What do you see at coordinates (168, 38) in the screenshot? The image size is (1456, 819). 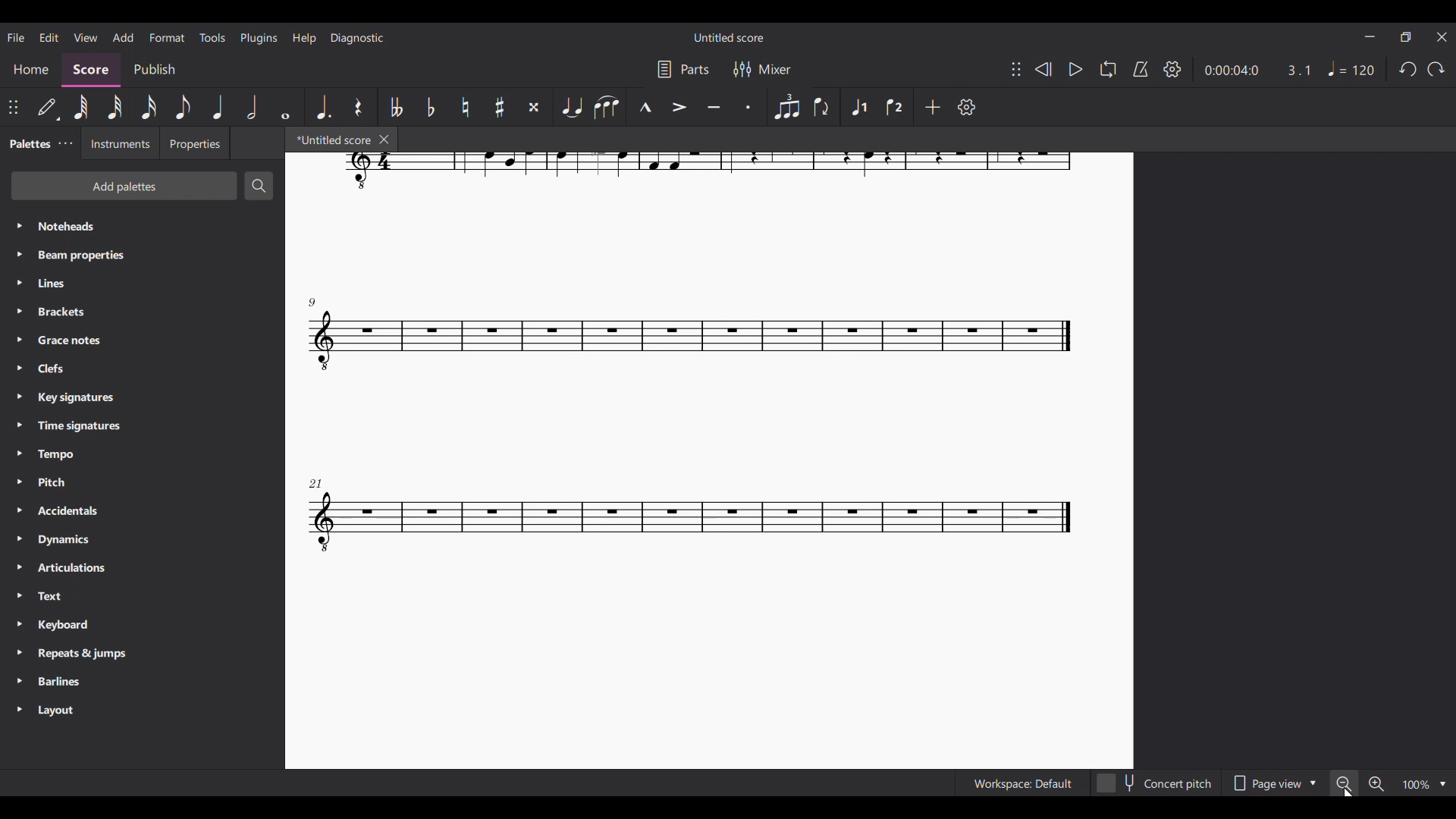 I see `Format menu` at bounding box center [168, 38].